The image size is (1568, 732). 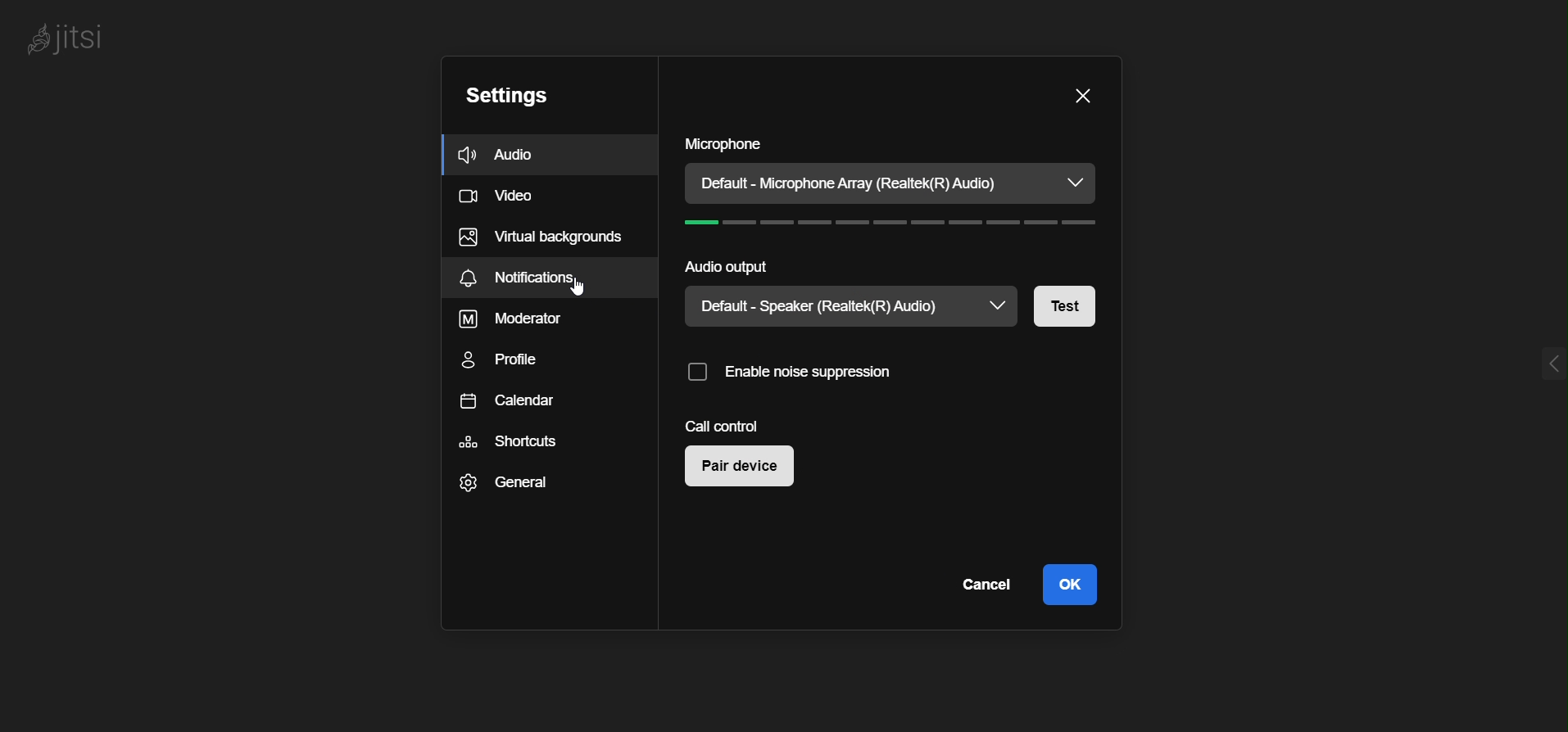 What do you see at coordinates (515, 442) in the screenshot?
I see `shortcuts` at bounding box center [515, 442].